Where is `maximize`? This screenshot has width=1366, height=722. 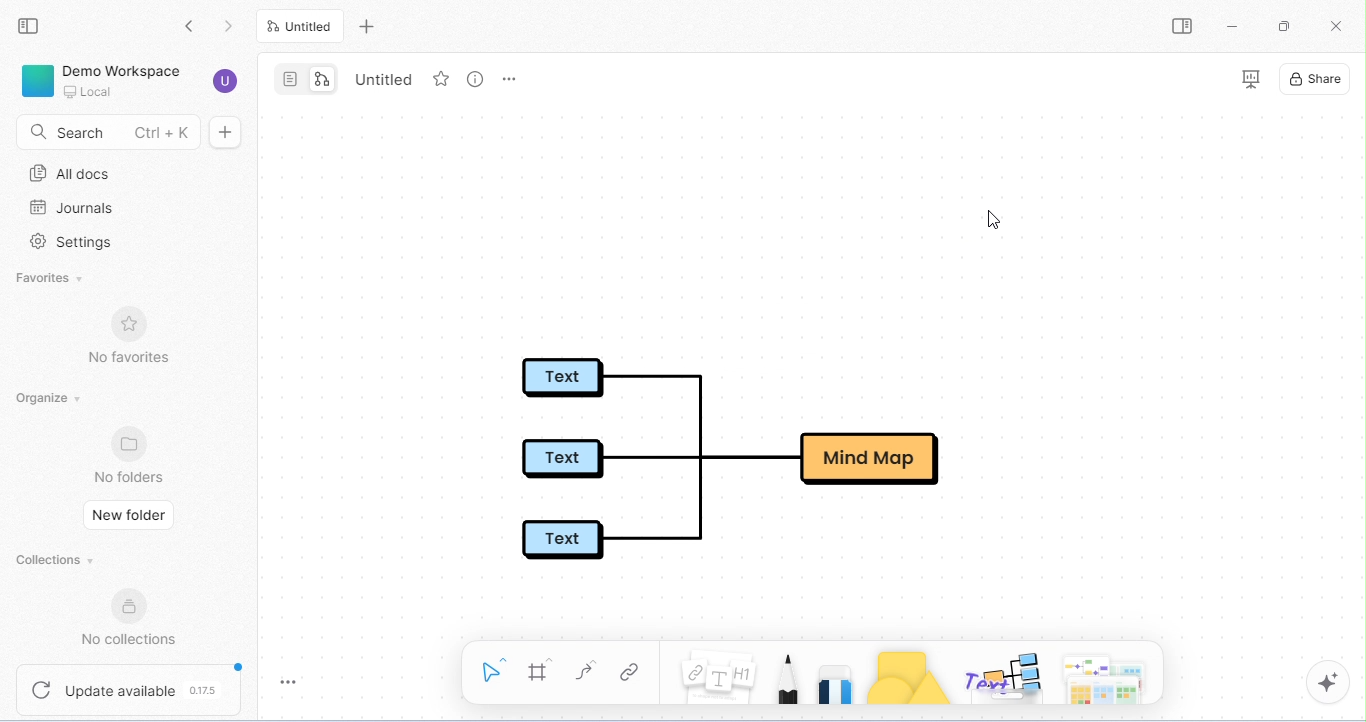
maximize is located at coordinates (1286, 26).